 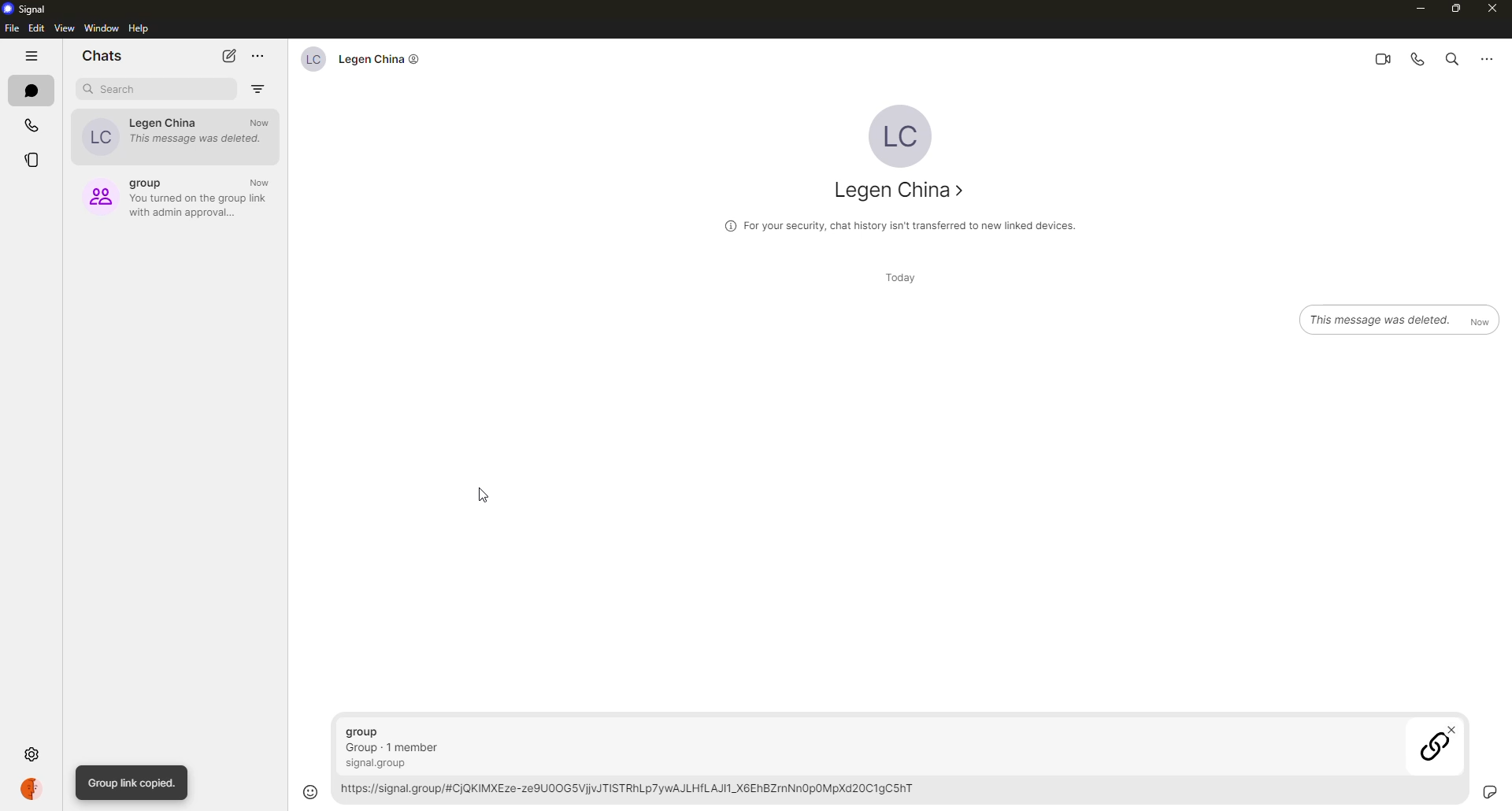 What do you see at coordinates (29, 9) in the screenshot?
I see `signal` at bounding box center [29, 9].